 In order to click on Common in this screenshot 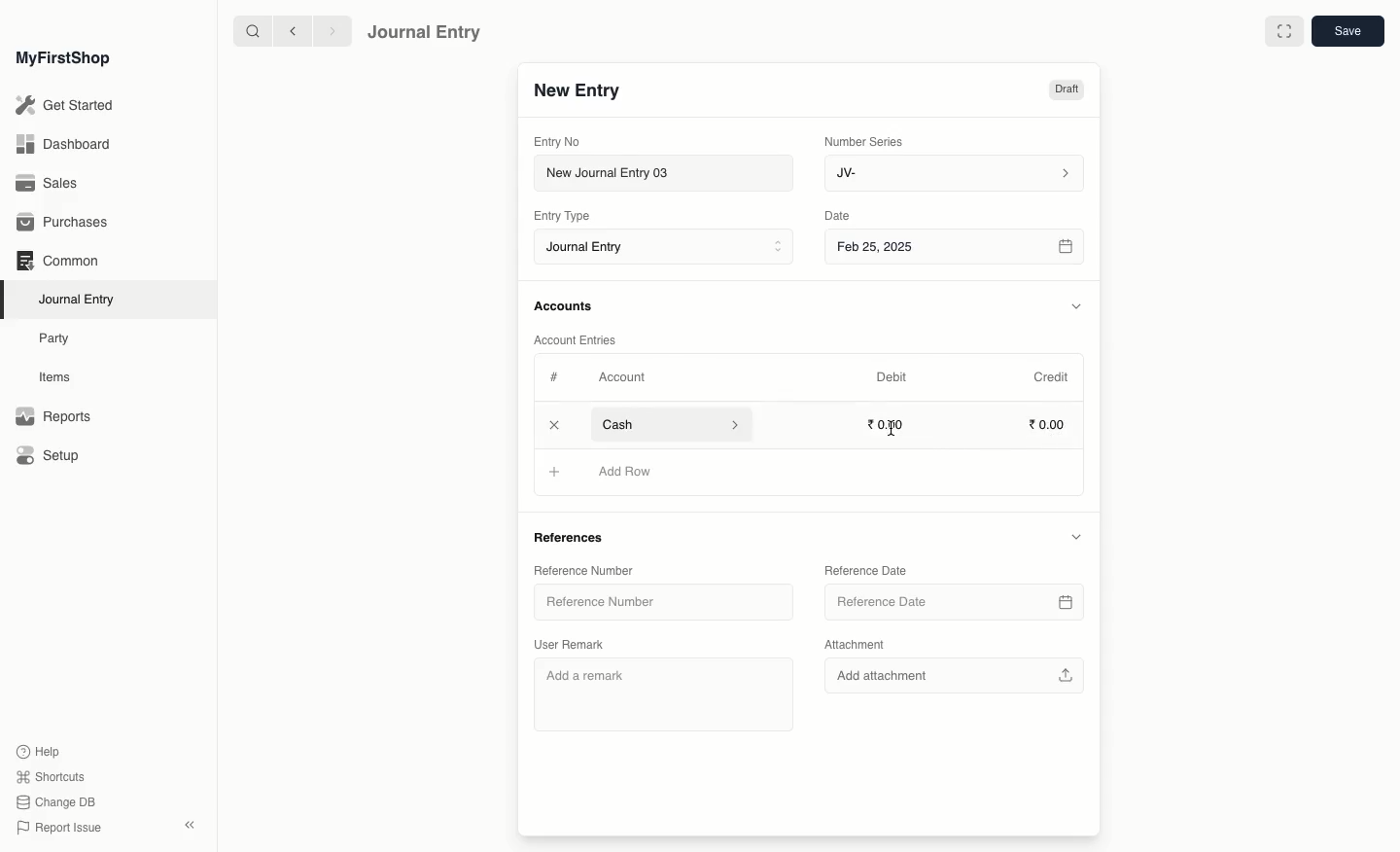, I will do `click(56, 261)`.